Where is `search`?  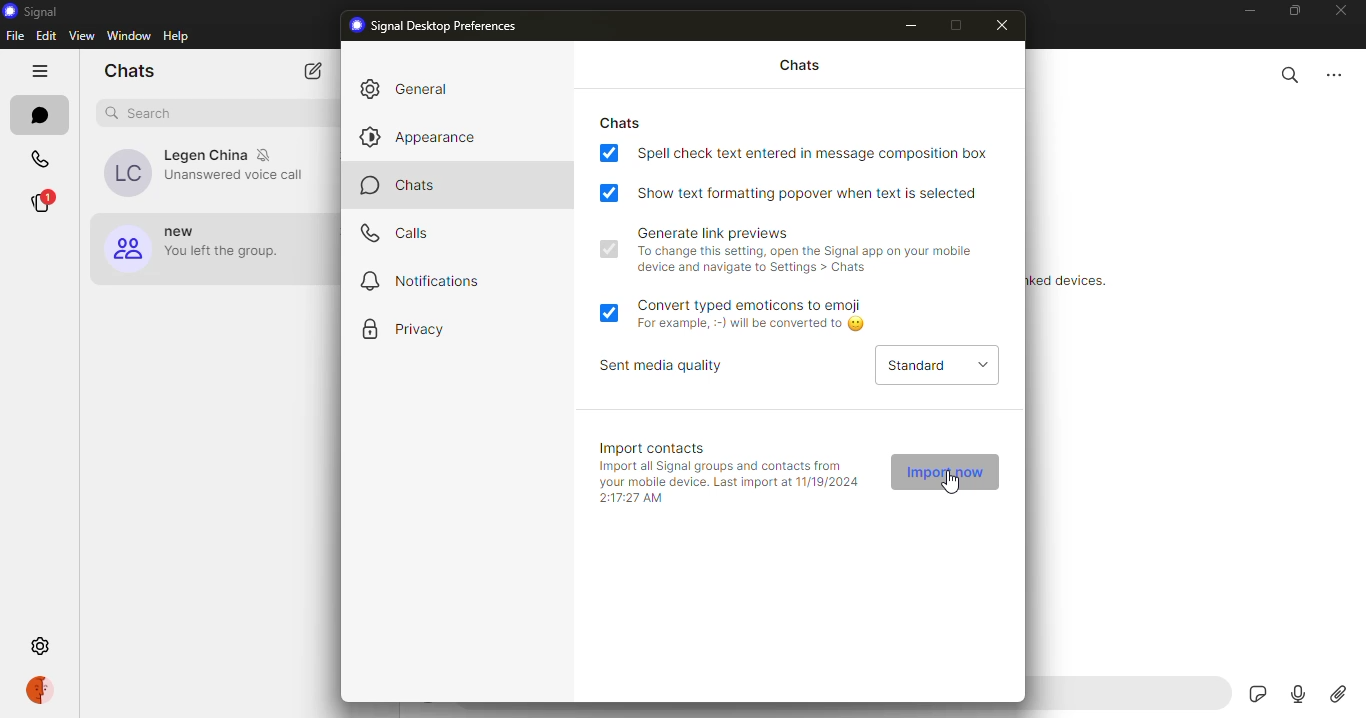
search is located at coordinates (143, 111).